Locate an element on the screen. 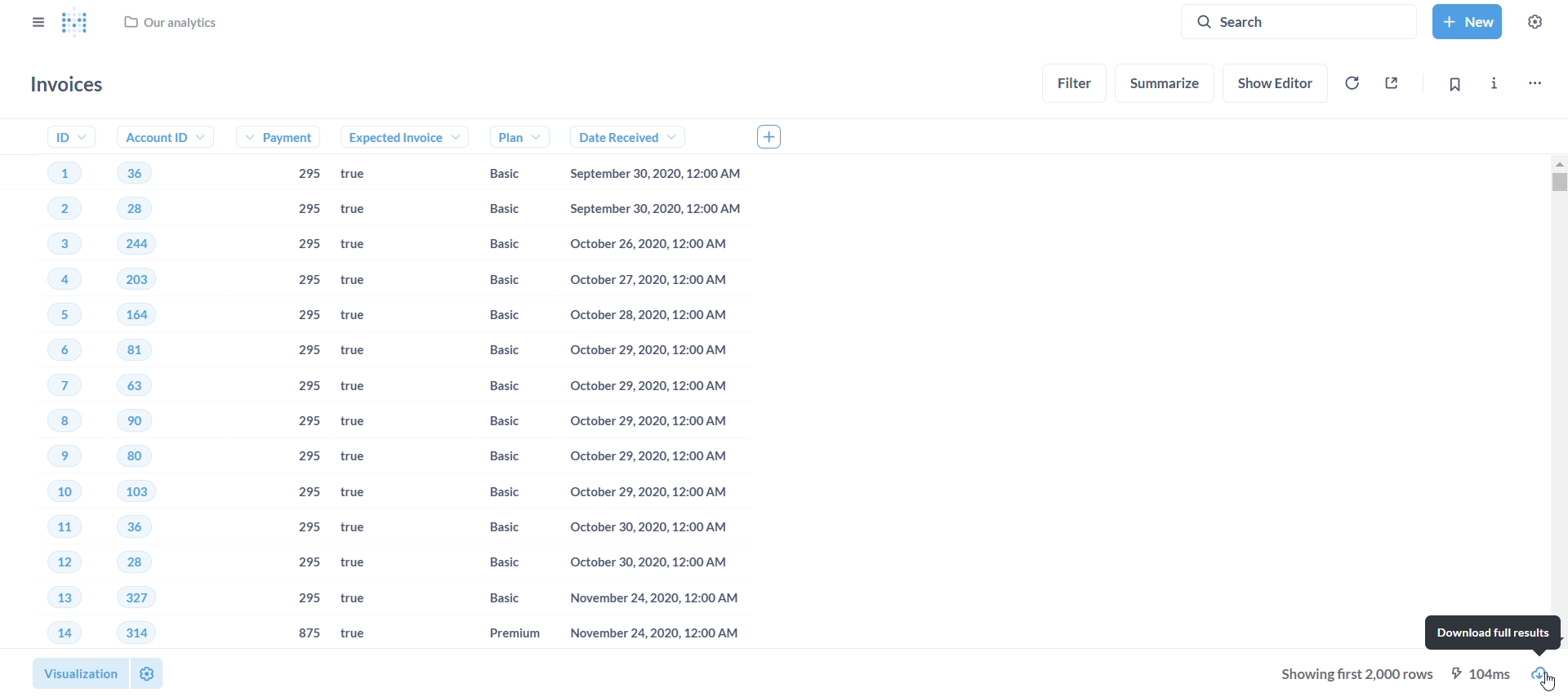 Image resolution: width=1568 pixels, height=697 pixels. 9 is located at coordinates (48, 457).